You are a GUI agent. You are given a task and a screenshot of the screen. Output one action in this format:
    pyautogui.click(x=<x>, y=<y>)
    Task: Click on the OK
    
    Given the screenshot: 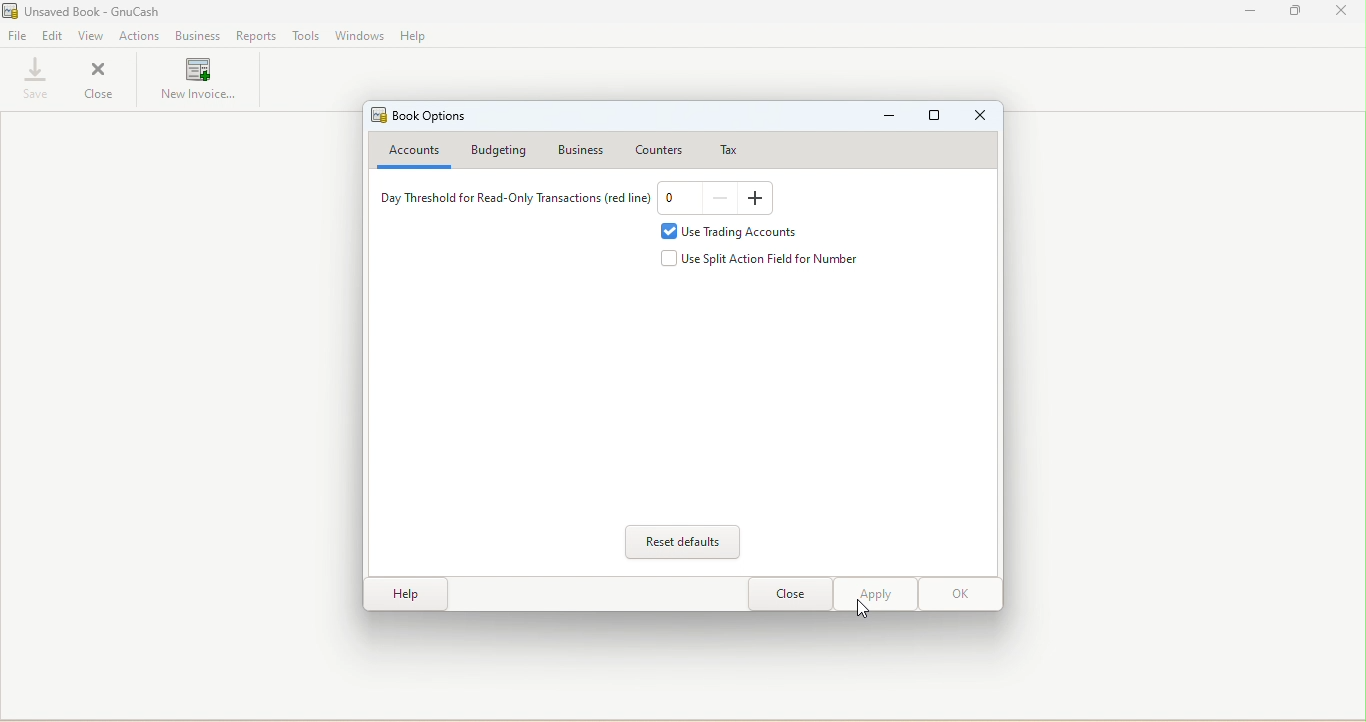 What is the action you would take?
    pyautogui.click(x=959, y=594)
    